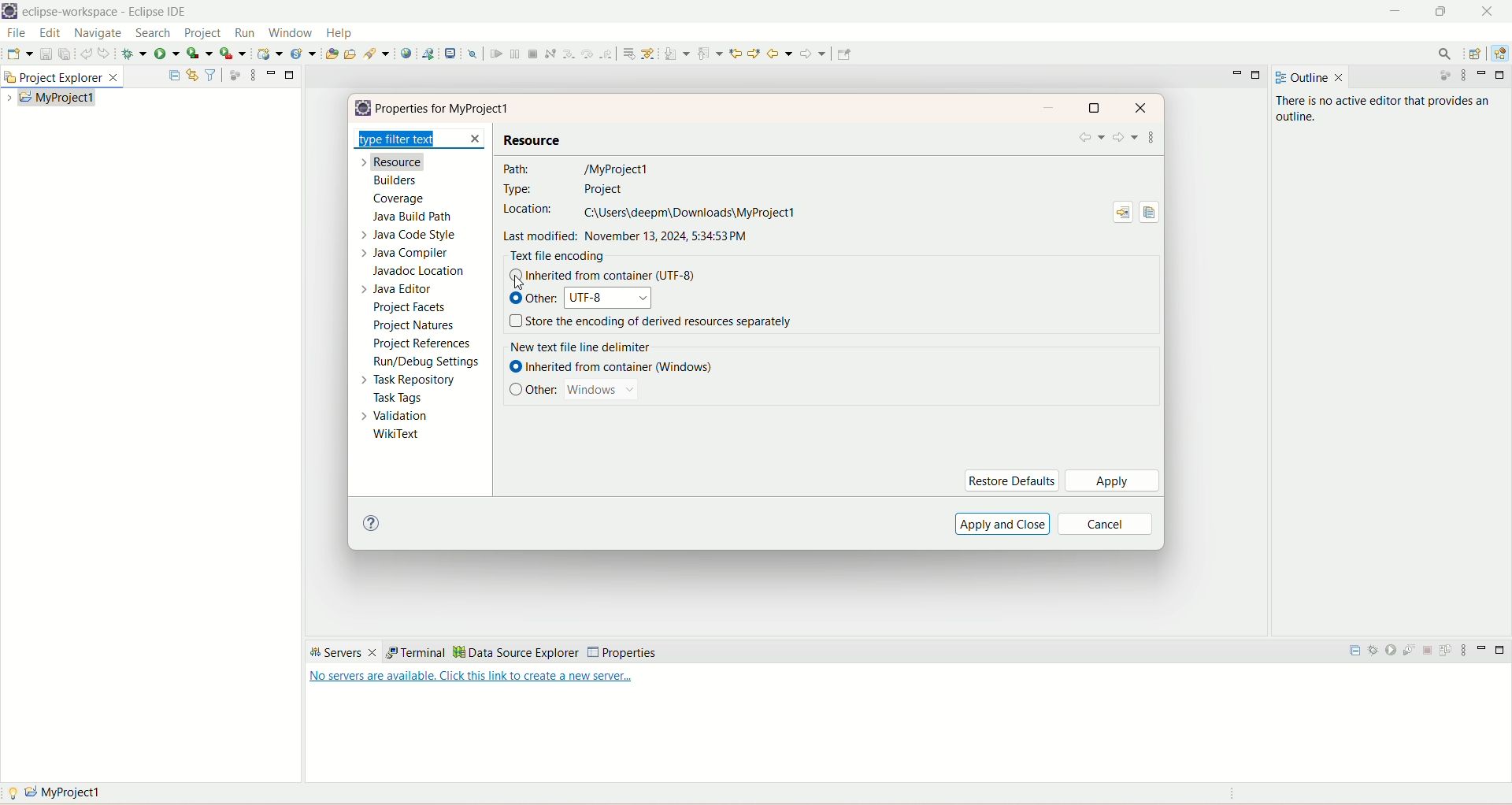 This screenshot has height=805, width=1512. I want to click on UTF-8, so click(608, 299).